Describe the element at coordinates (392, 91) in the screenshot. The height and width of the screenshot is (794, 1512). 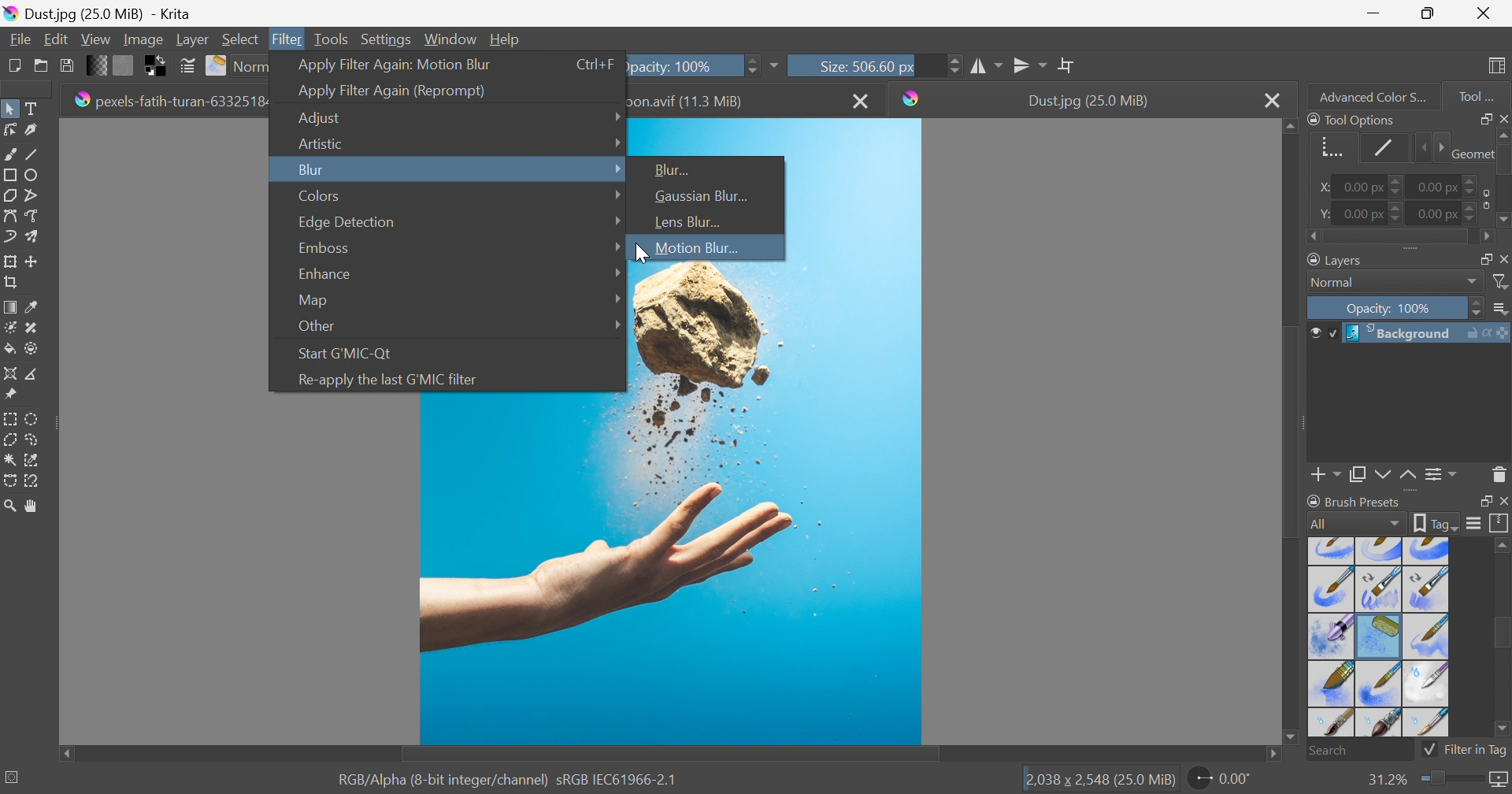
I see `Apply filter again (Reprompt)` at that location.